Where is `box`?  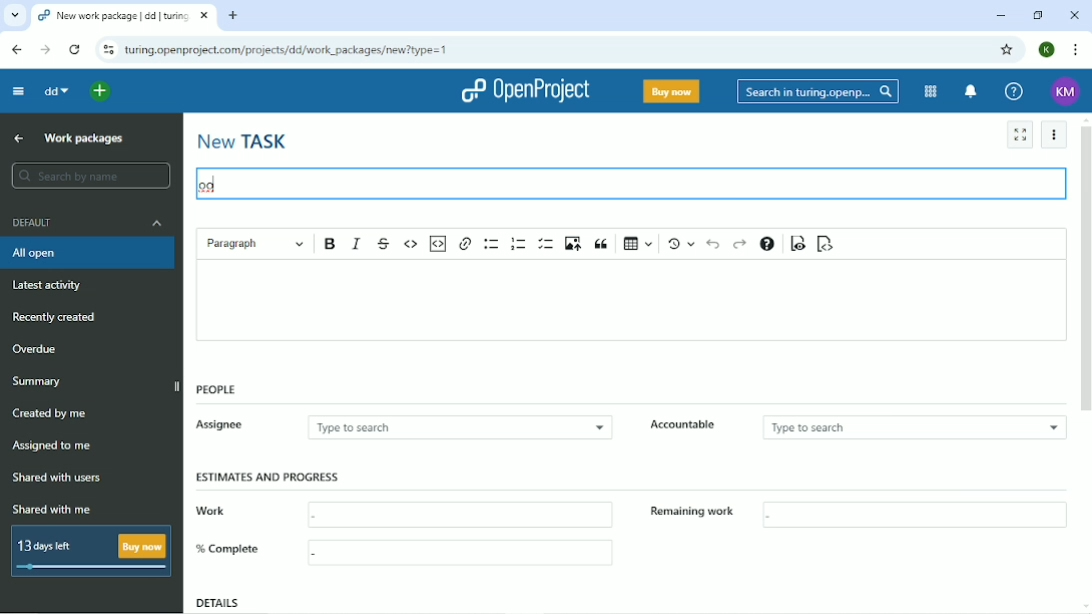
box is located at coordinates (455, 511).